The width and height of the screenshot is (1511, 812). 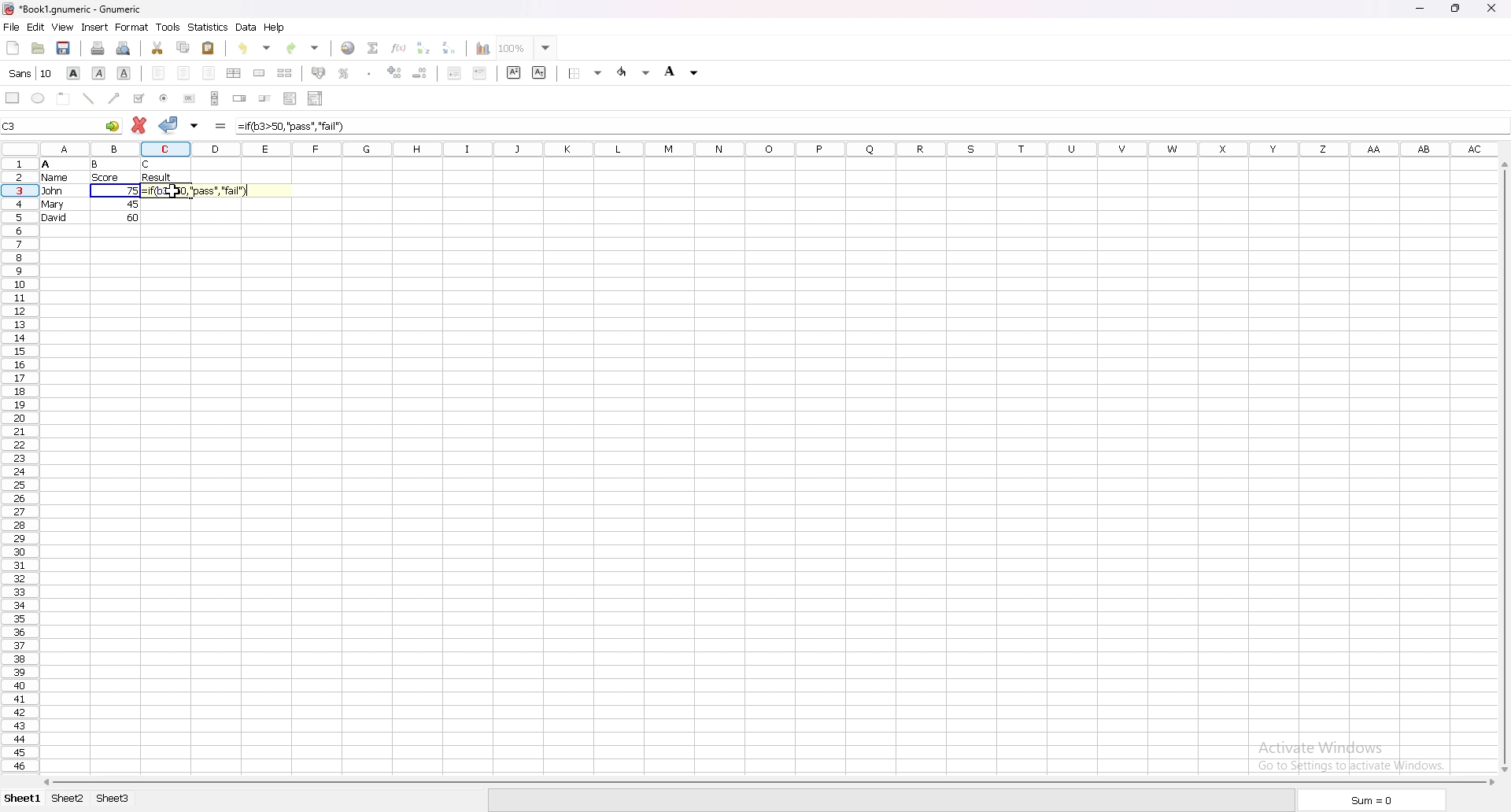 I want to click on 60, so click(x=133, y=217).